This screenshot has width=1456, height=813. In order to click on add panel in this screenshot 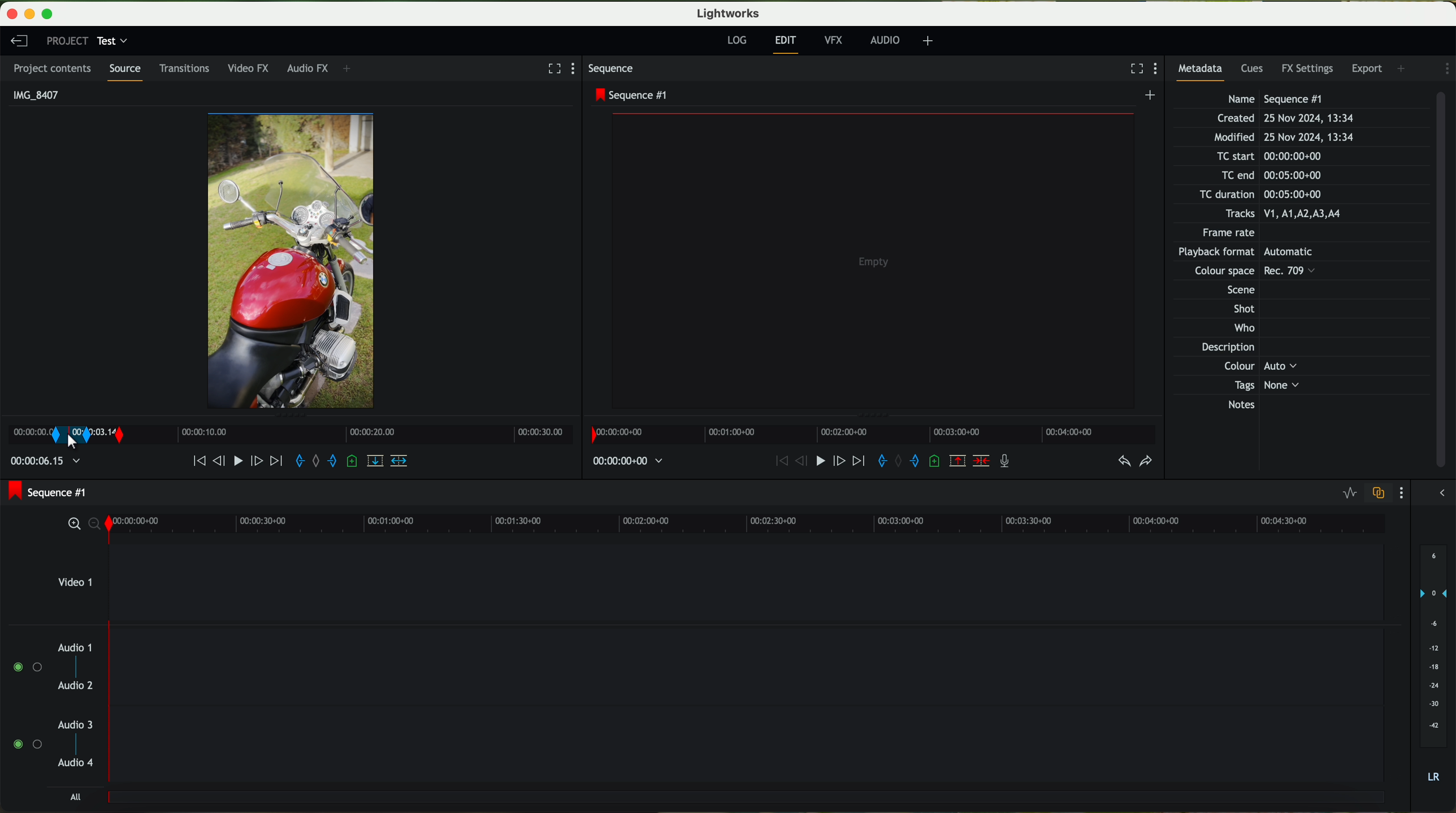, I will do `click(1403, 67)`.